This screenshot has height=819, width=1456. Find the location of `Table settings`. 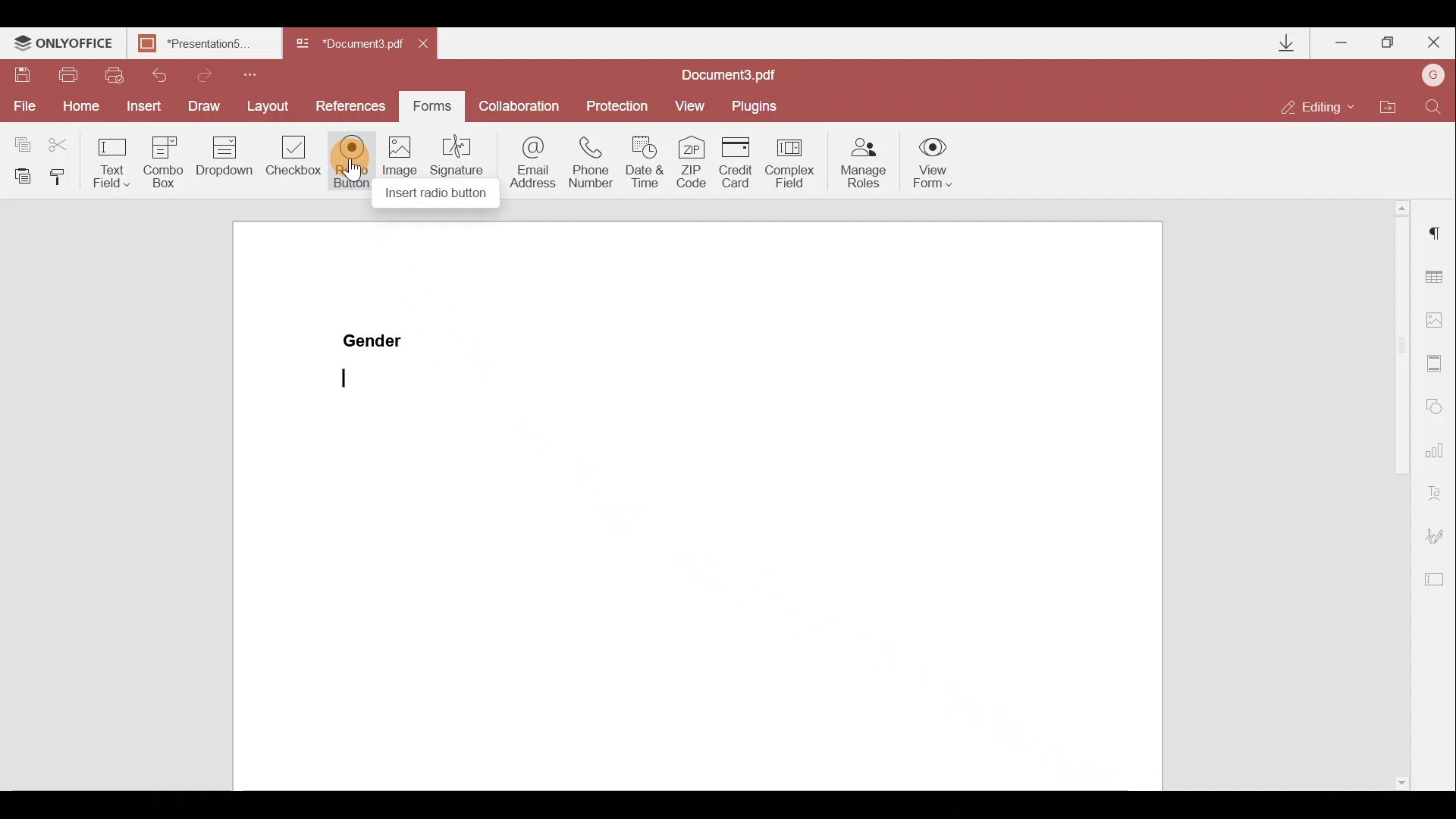

Table settings is located at coordinates (1437, 274).